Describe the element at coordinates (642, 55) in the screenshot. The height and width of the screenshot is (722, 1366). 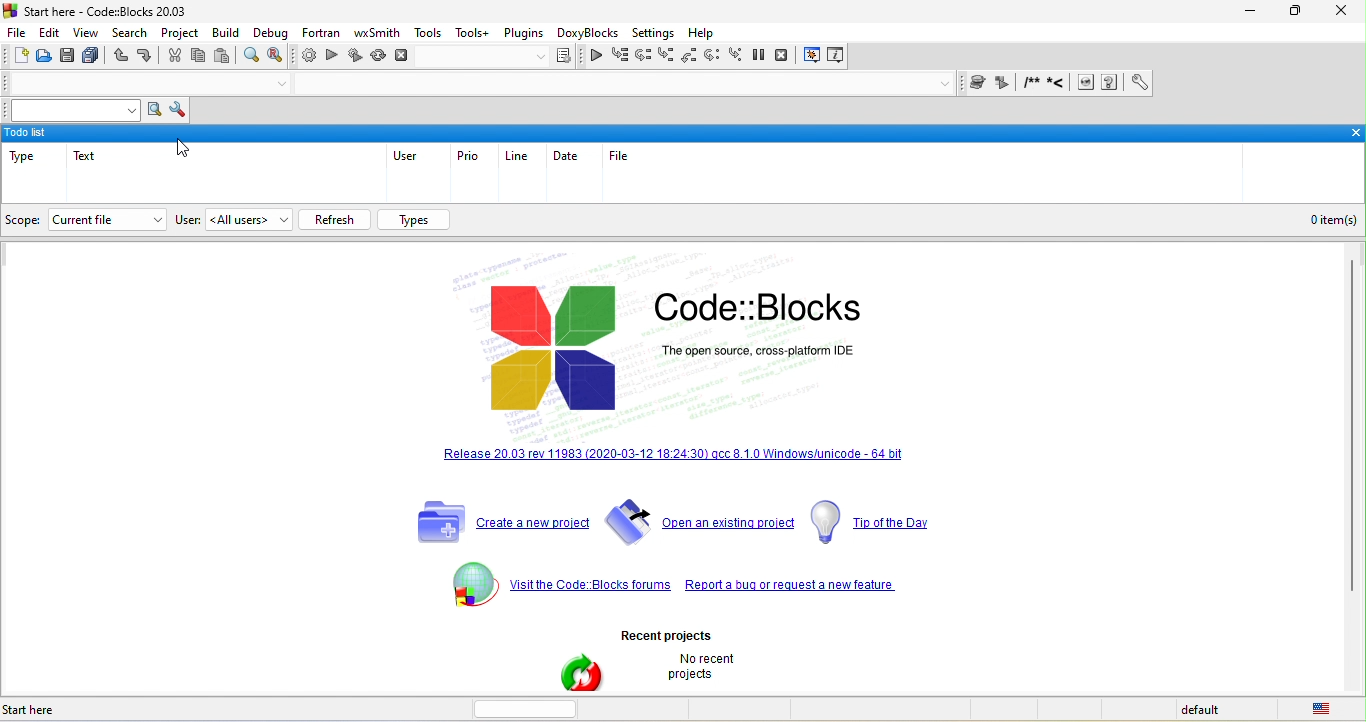
I see `next line` at that location.